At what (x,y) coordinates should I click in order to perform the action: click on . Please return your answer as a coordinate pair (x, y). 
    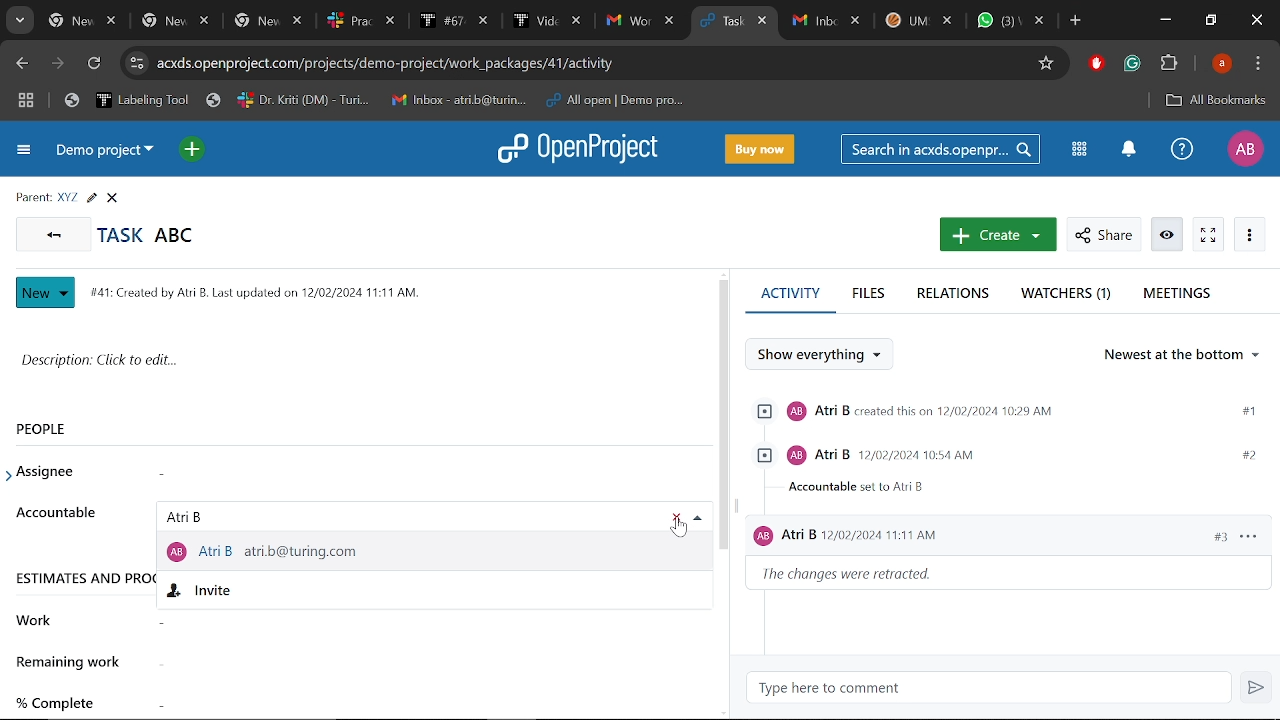
    Looking at the image, I should click on (1102, 234).